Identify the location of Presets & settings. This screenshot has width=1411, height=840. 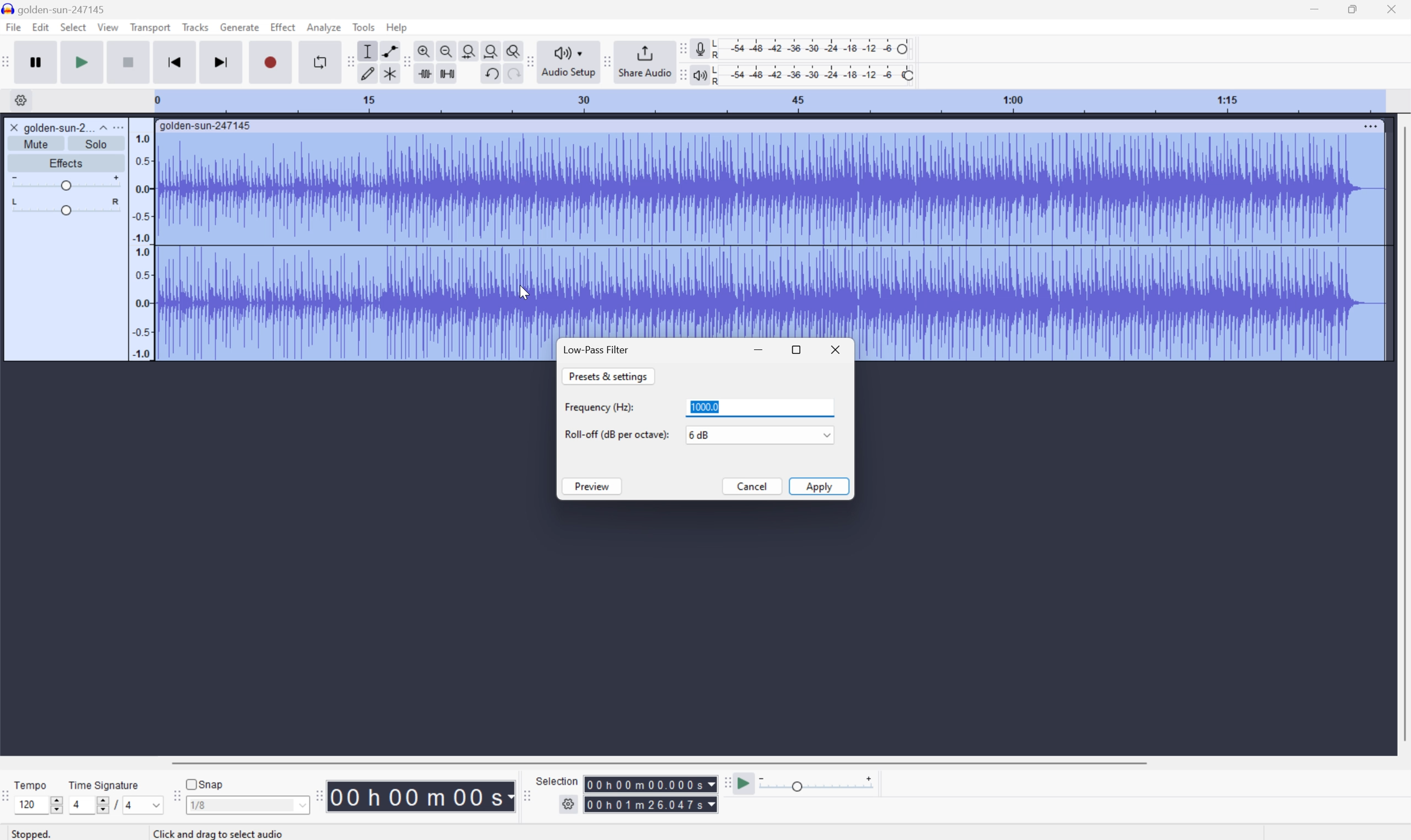
(608, 376).